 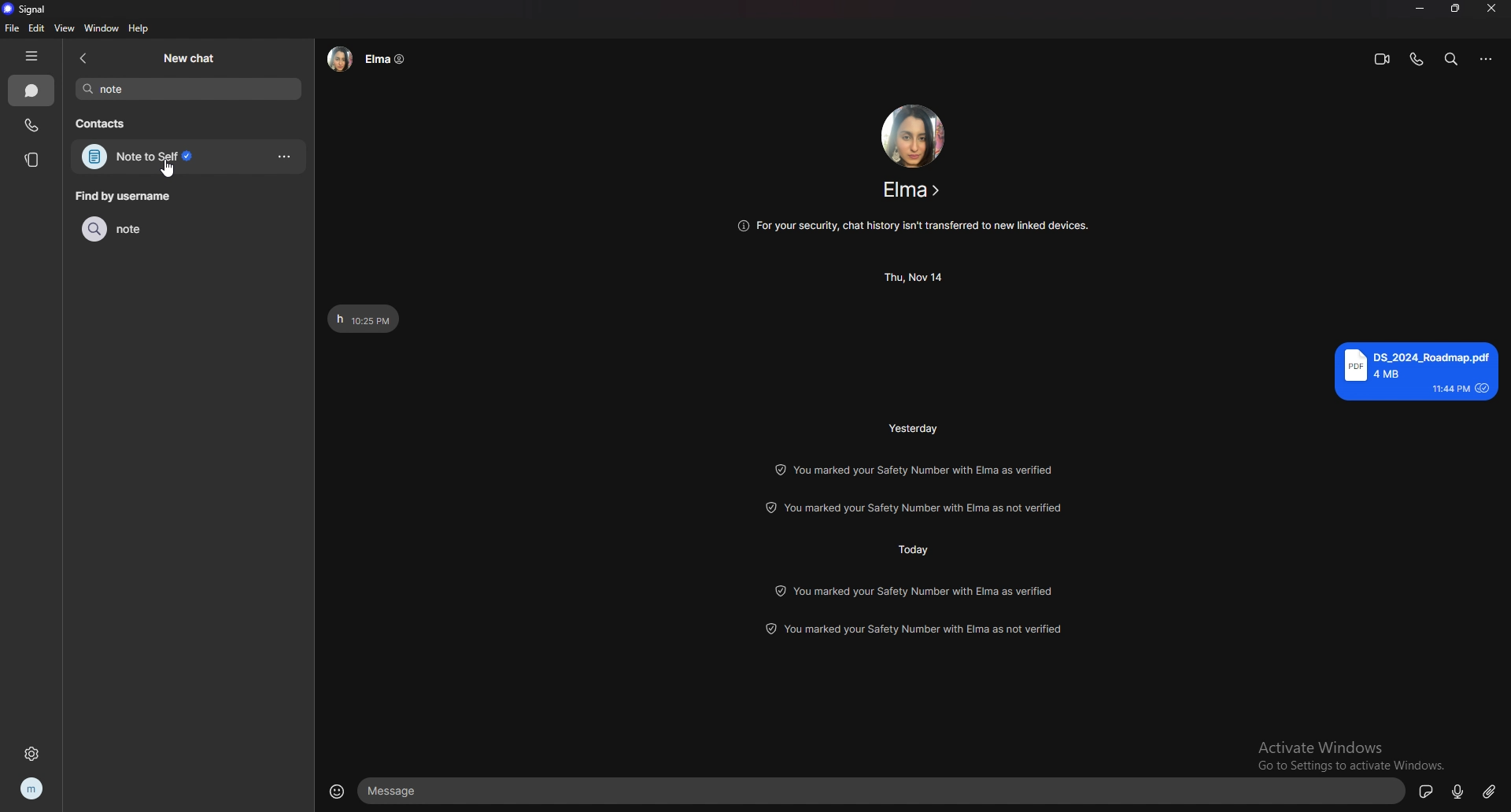 I want to click on file, so click(x=11, y=28).